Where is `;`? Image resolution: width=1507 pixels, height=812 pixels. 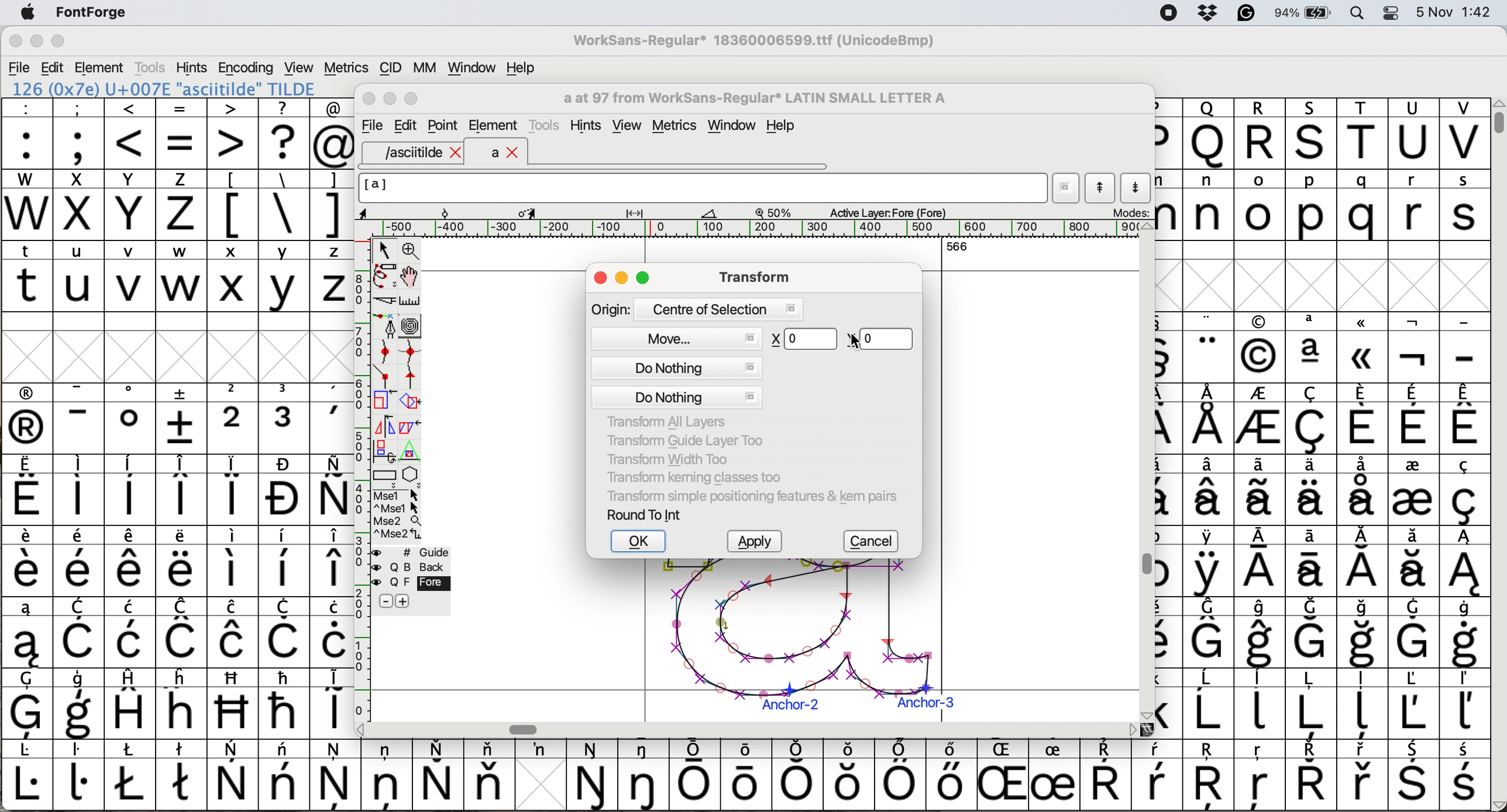
; is located at coordinates (79, 132).